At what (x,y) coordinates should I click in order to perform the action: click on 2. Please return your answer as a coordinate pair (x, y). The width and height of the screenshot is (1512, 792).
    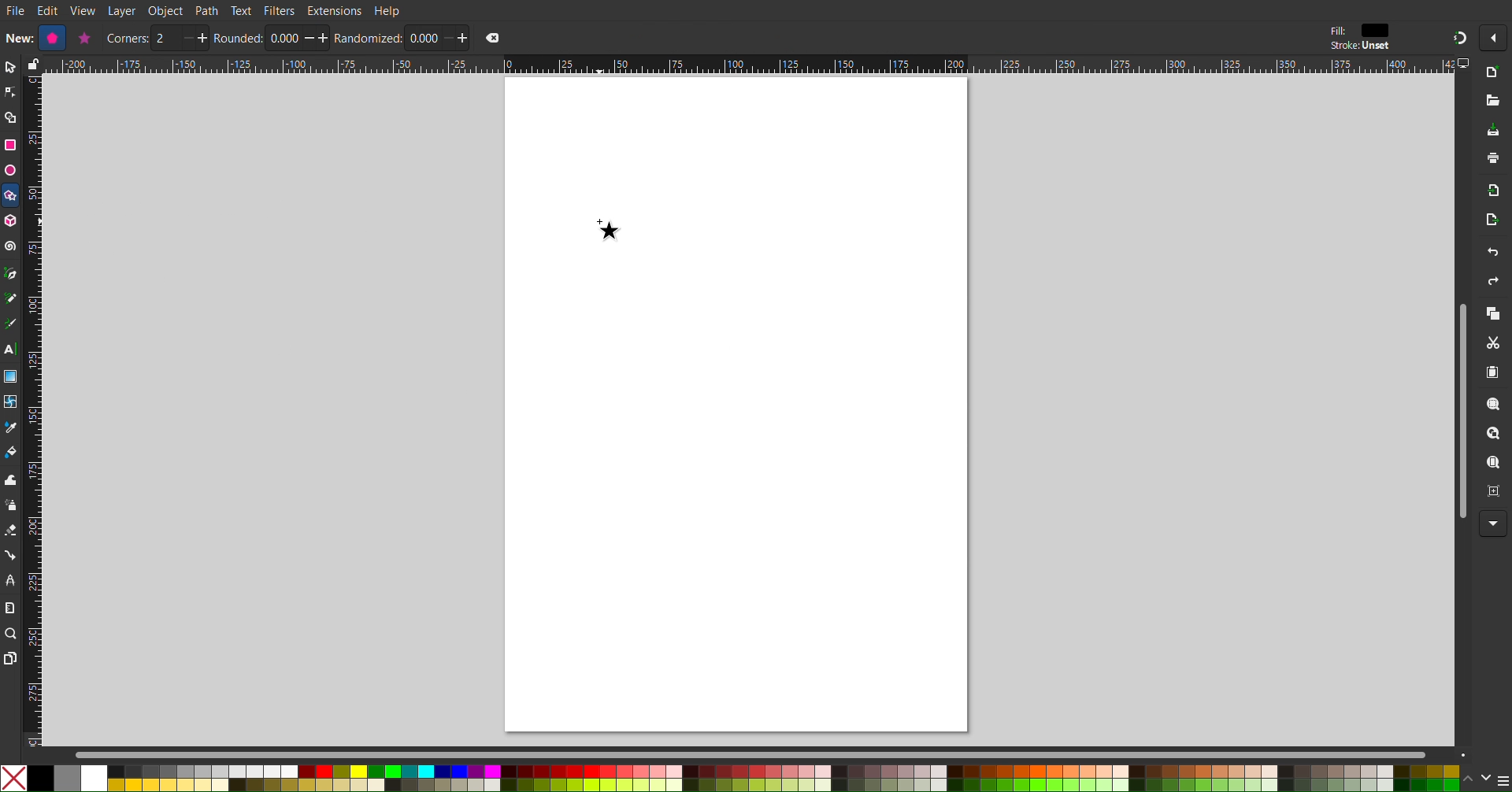
    Looking at the image, I should click on (165, 39).